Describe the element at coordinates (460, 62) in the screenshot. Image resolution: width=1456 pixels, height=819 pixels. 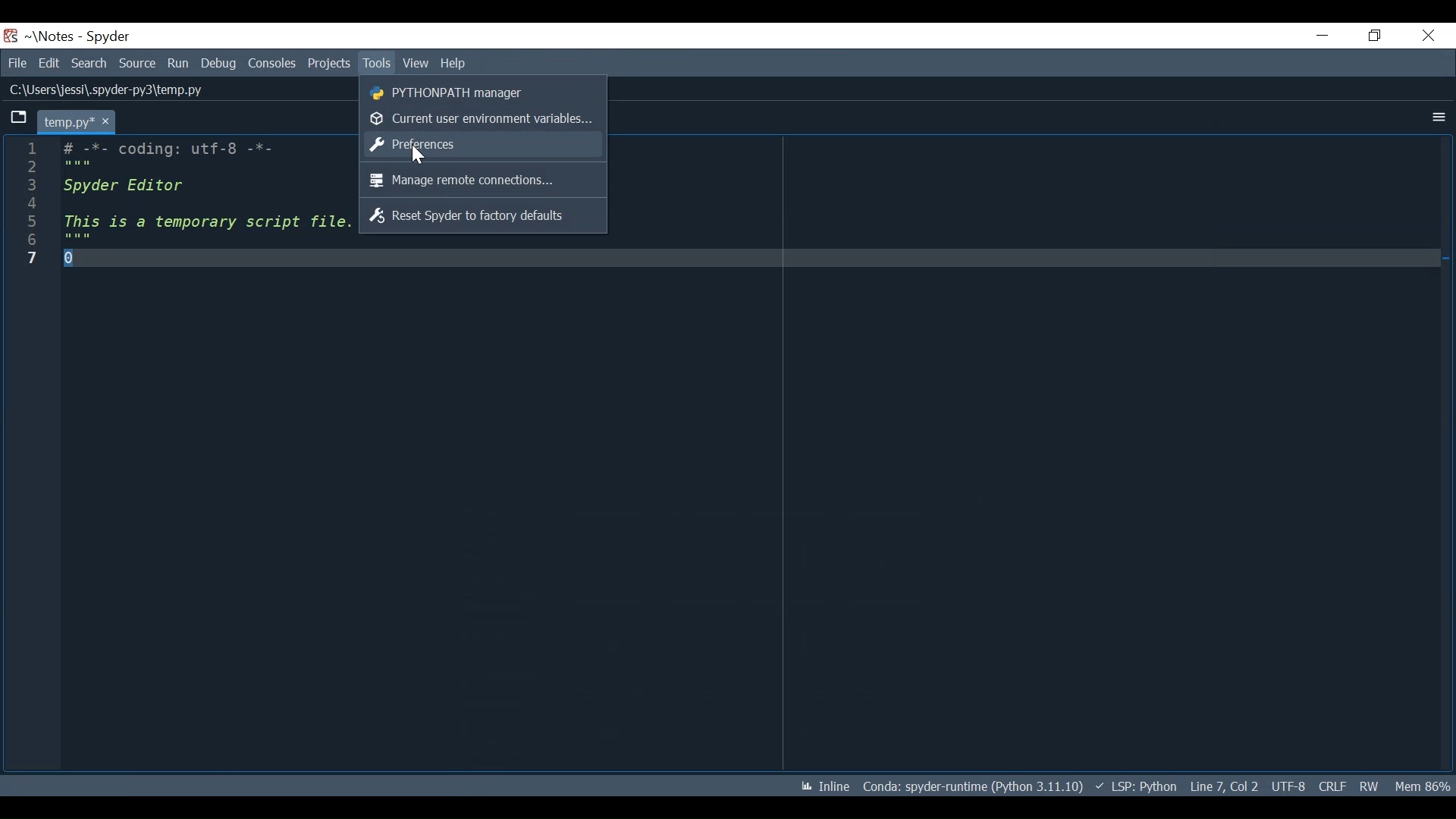
I see `Help` at that location.